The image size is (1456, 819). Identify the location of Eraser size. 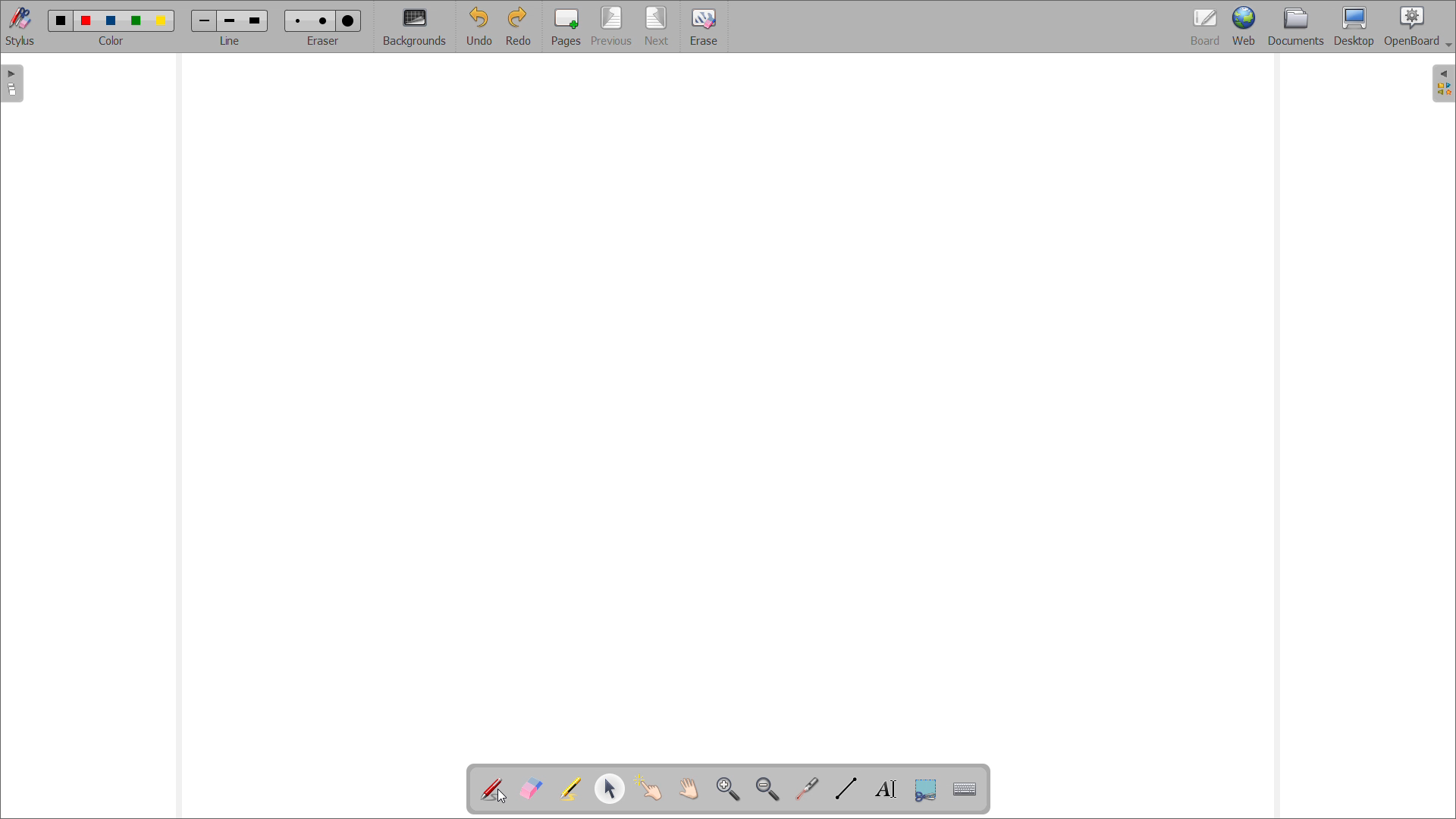
(348, 21).